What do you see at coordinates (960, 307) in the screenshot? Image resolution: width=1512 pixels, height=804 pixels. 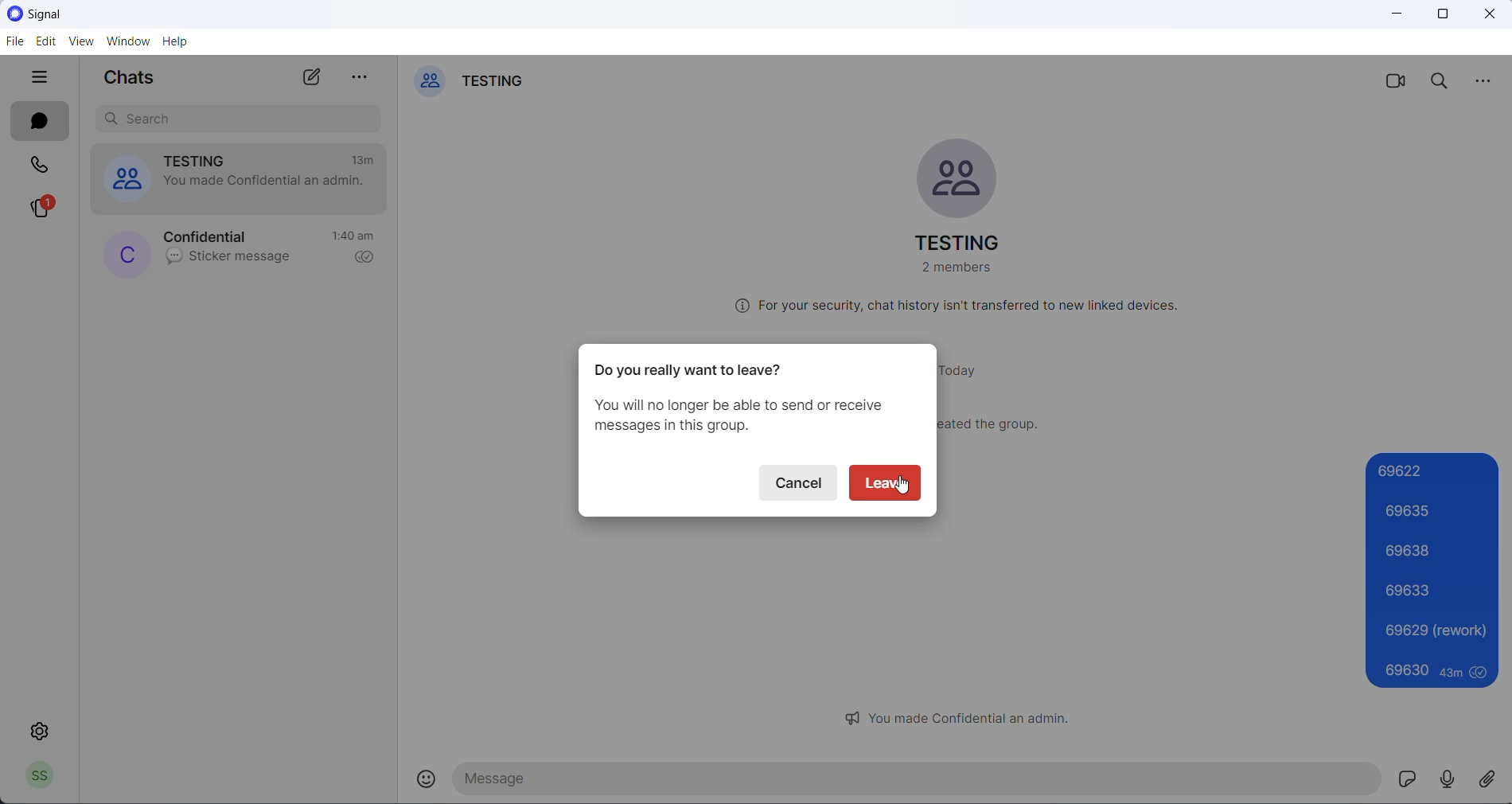 I see `security related text` at bounding box center [960, 307].